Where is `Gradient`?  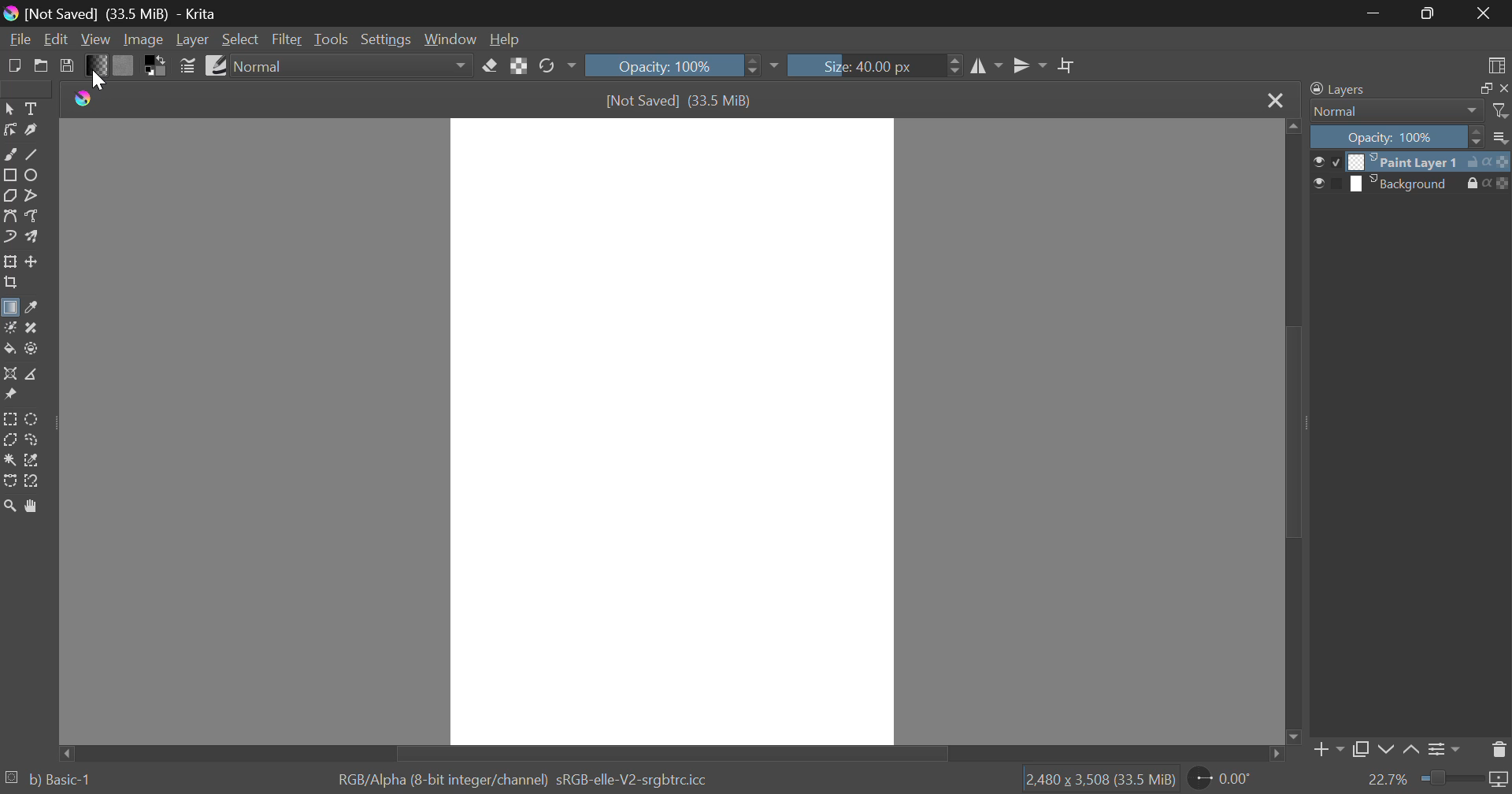 Gradient is located at coordinates (96, 65).